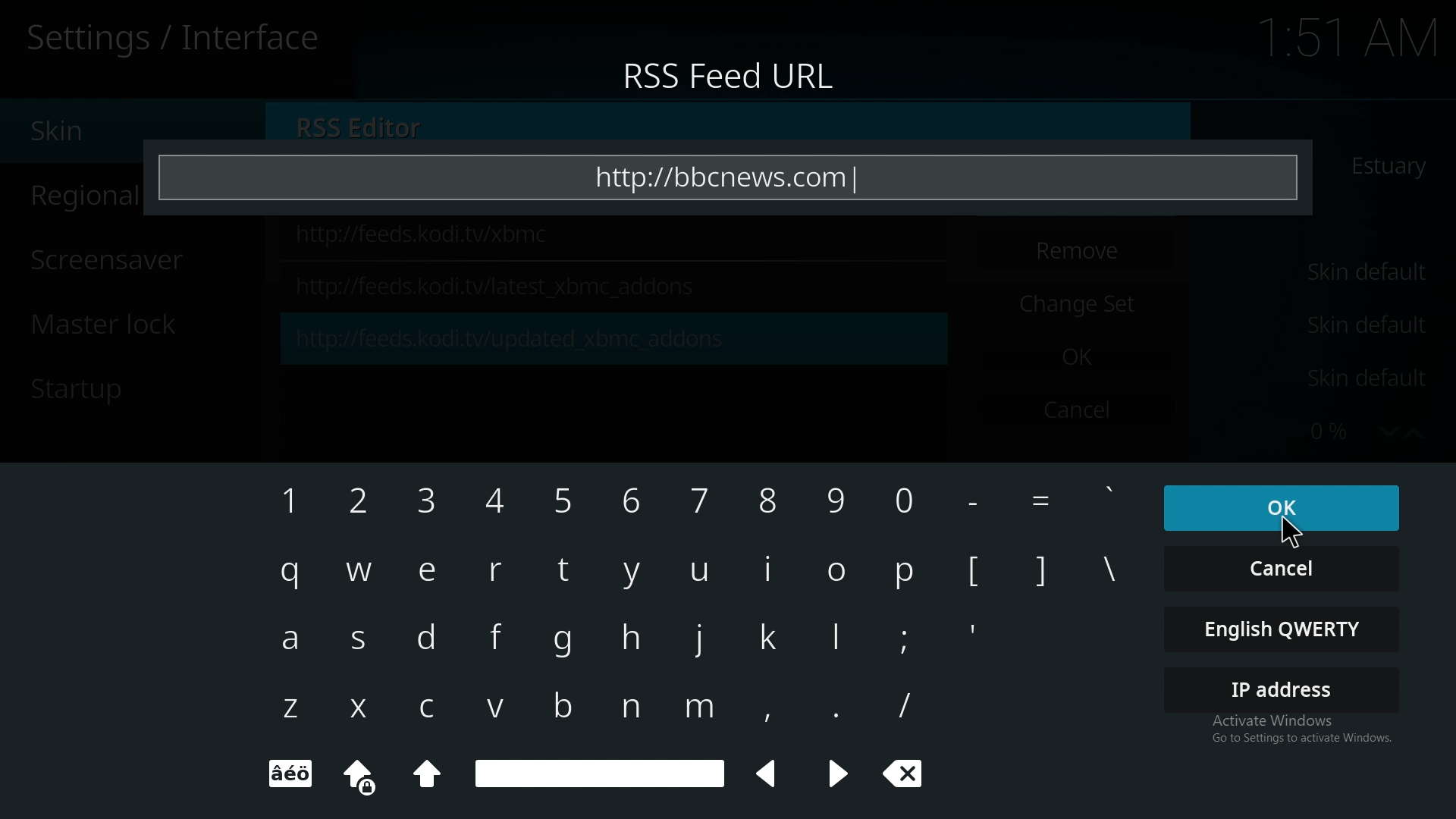 This screenshot has height=819, width=1456. Describe the element at coordinates (287, 709) in the screenshot. I see `z` at that location.